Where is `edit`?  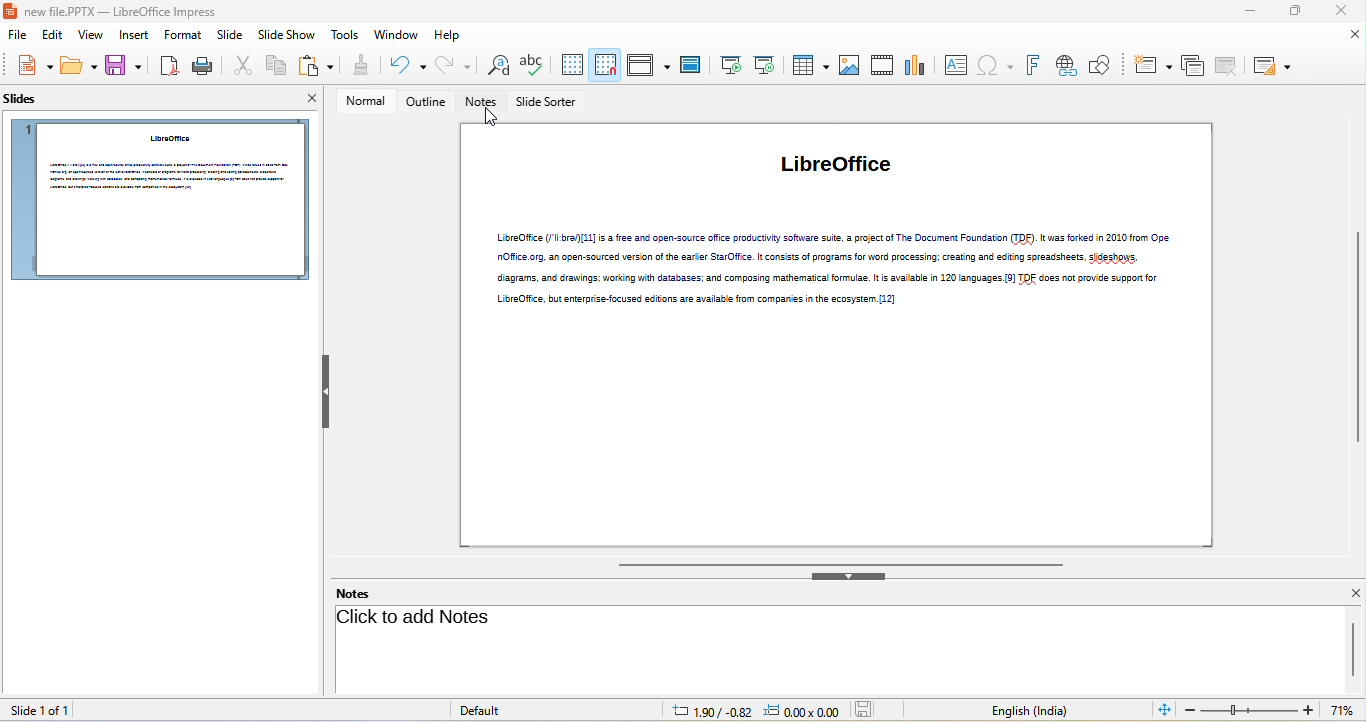
edit is located at coordinates (50, 37).